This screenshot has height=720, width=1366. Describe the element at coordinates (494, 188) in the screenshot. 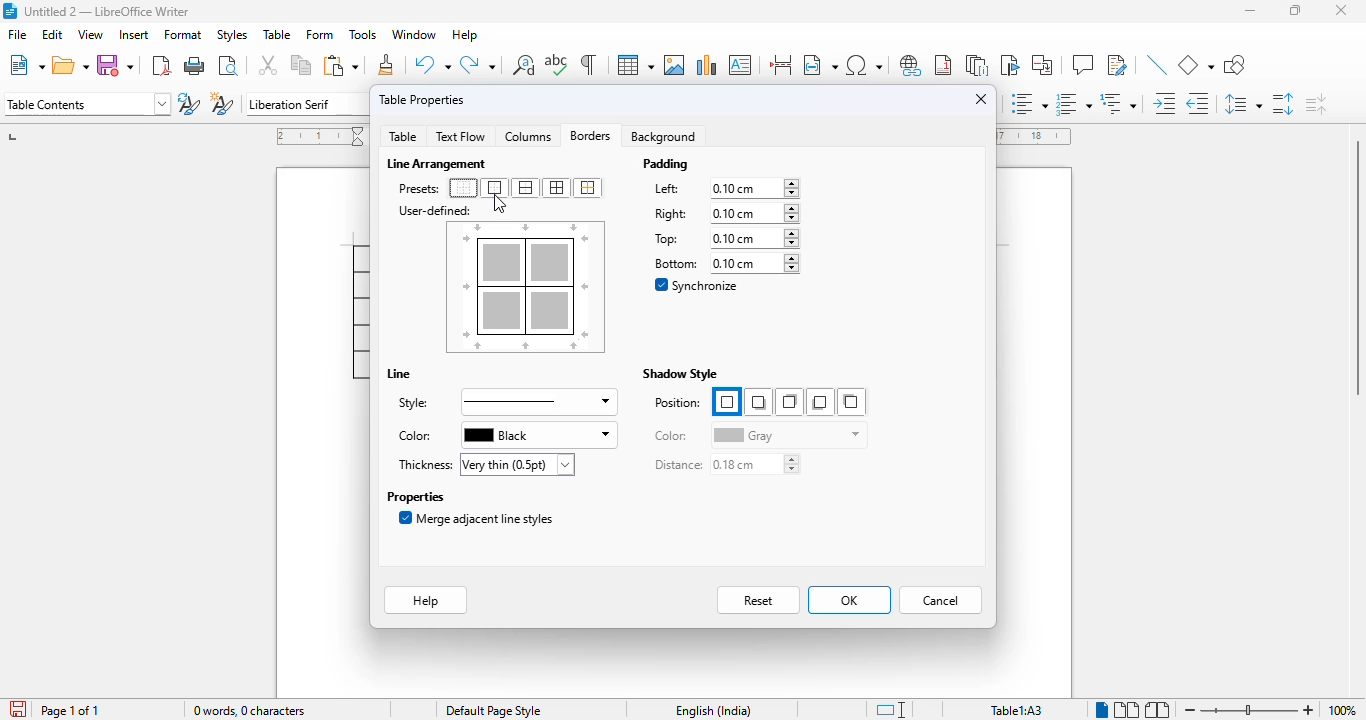

I see `outer borders only` at that location.